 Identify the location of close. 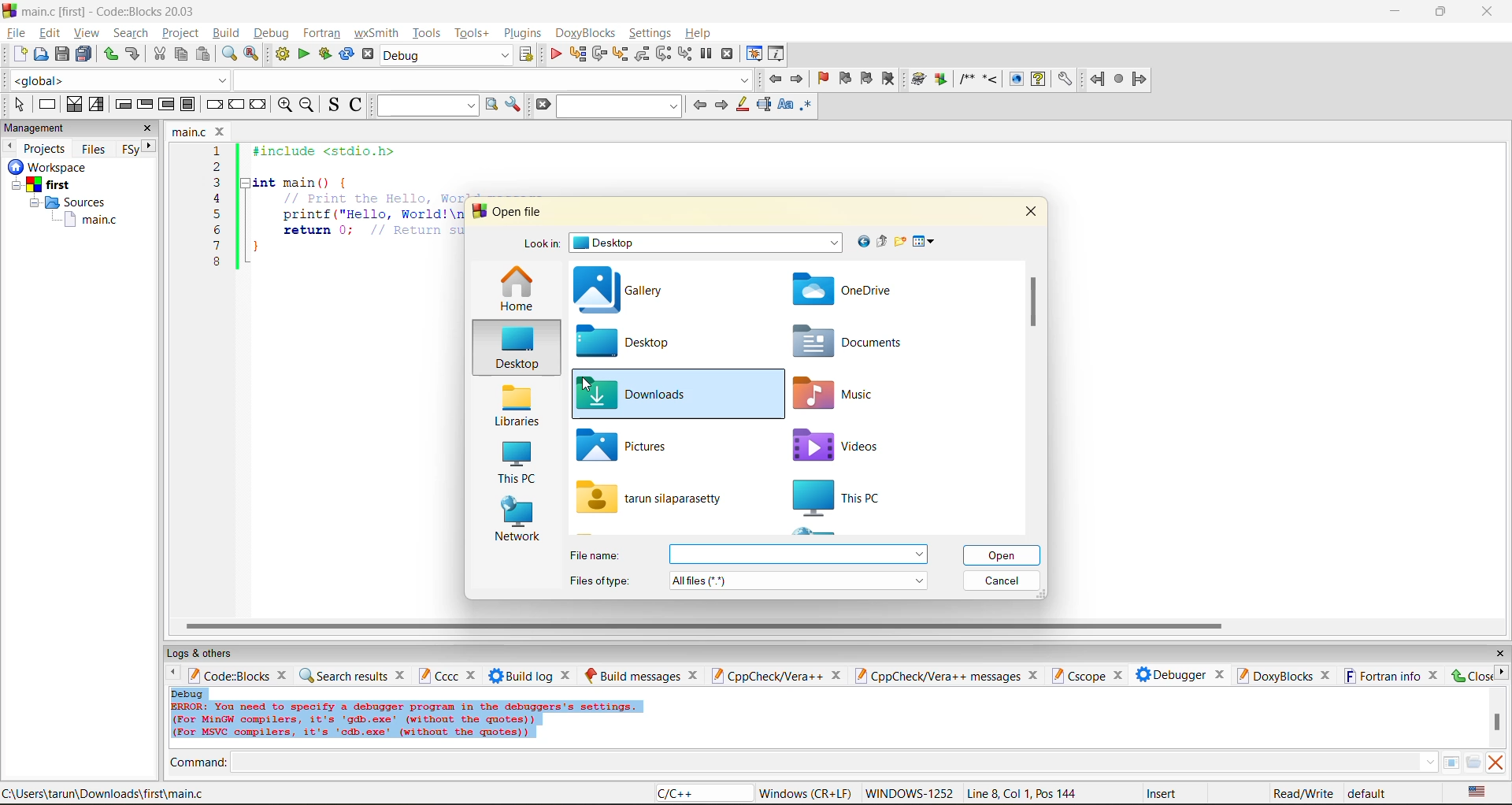
(1499, 654).